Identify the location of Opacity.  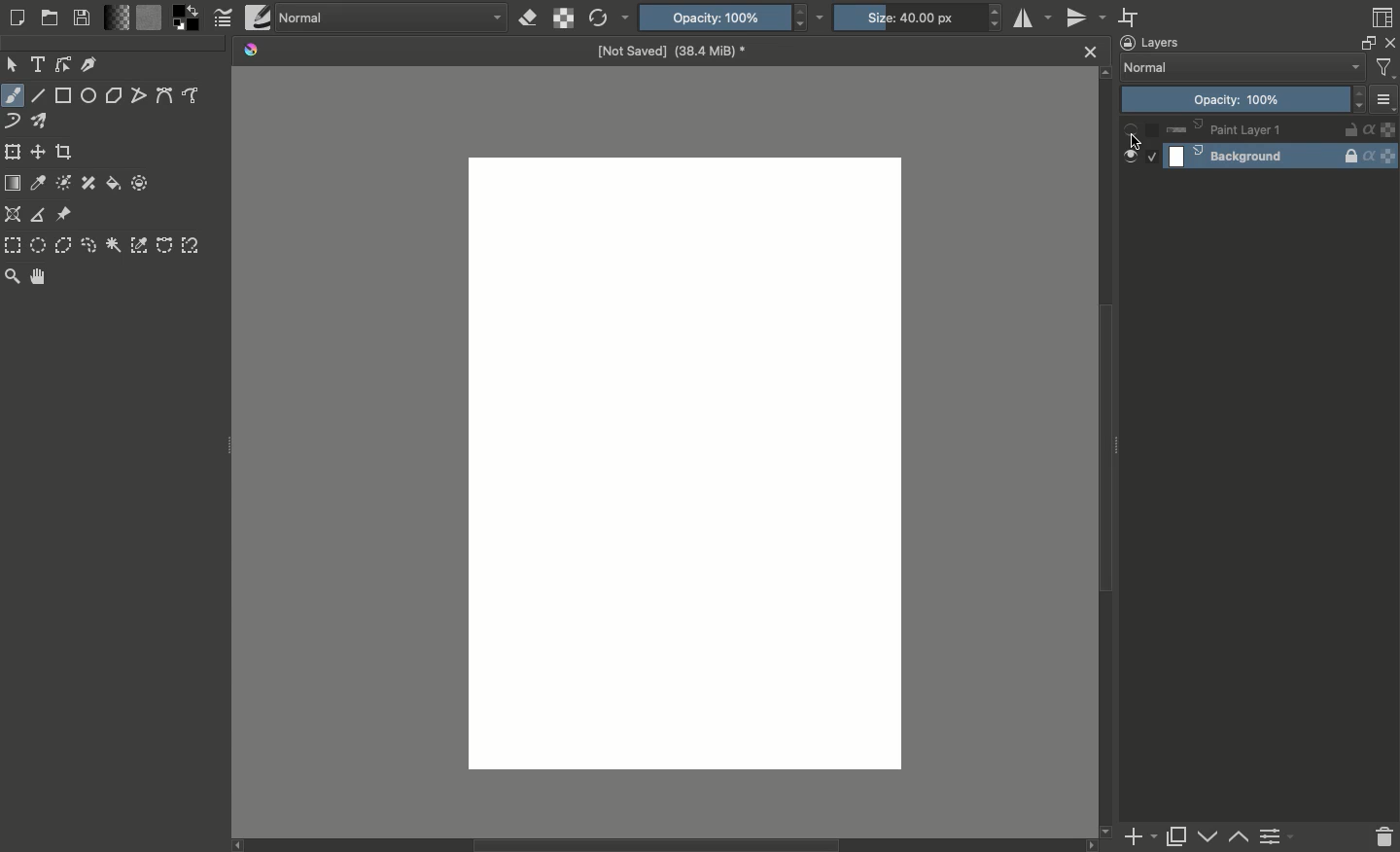
(1244, 100).